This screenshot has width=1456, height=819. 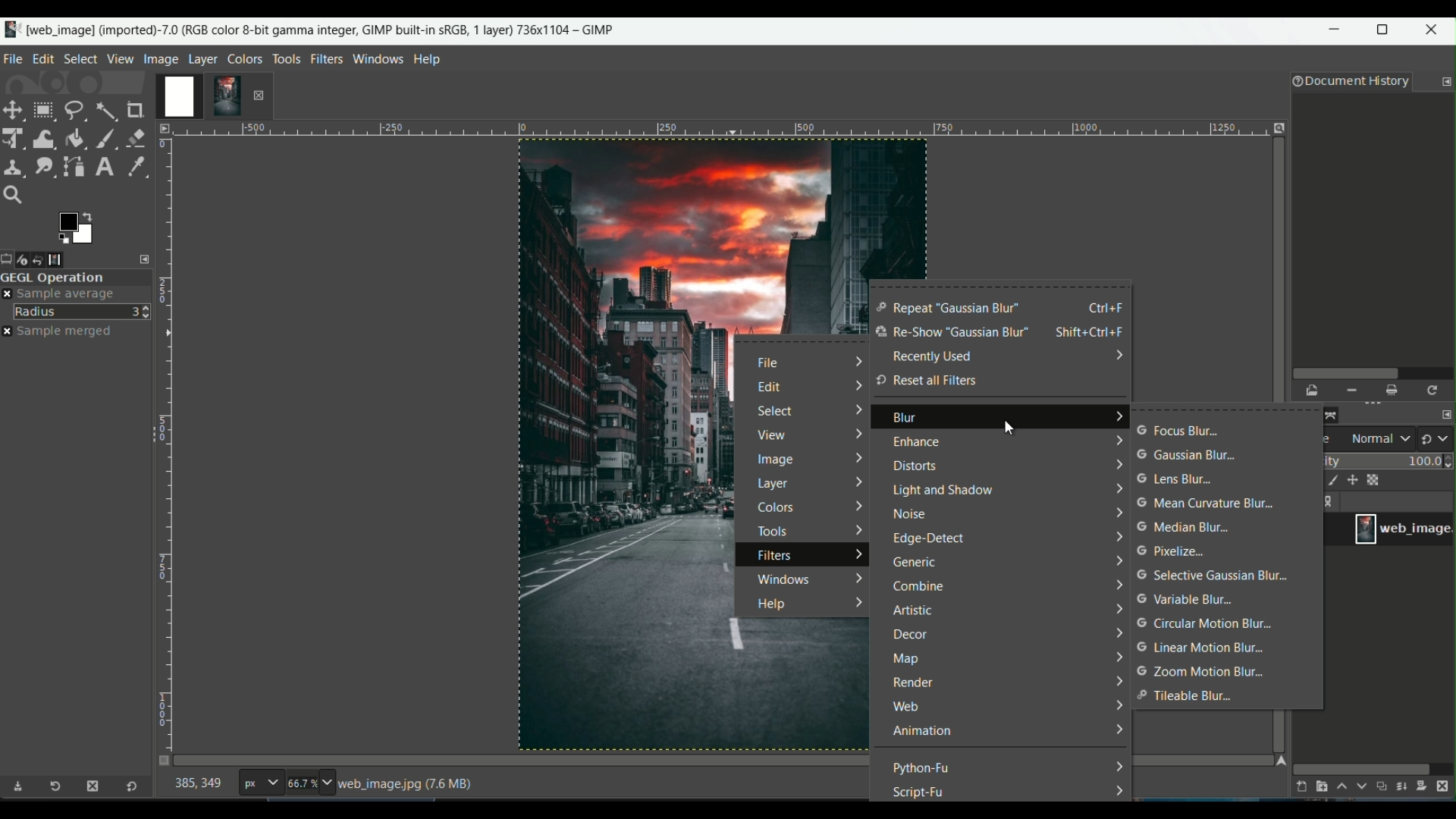 What do you see at coordinates (1175, 479) in the screenshot?
I see `lens blur` at bounding box center [1175, 479].